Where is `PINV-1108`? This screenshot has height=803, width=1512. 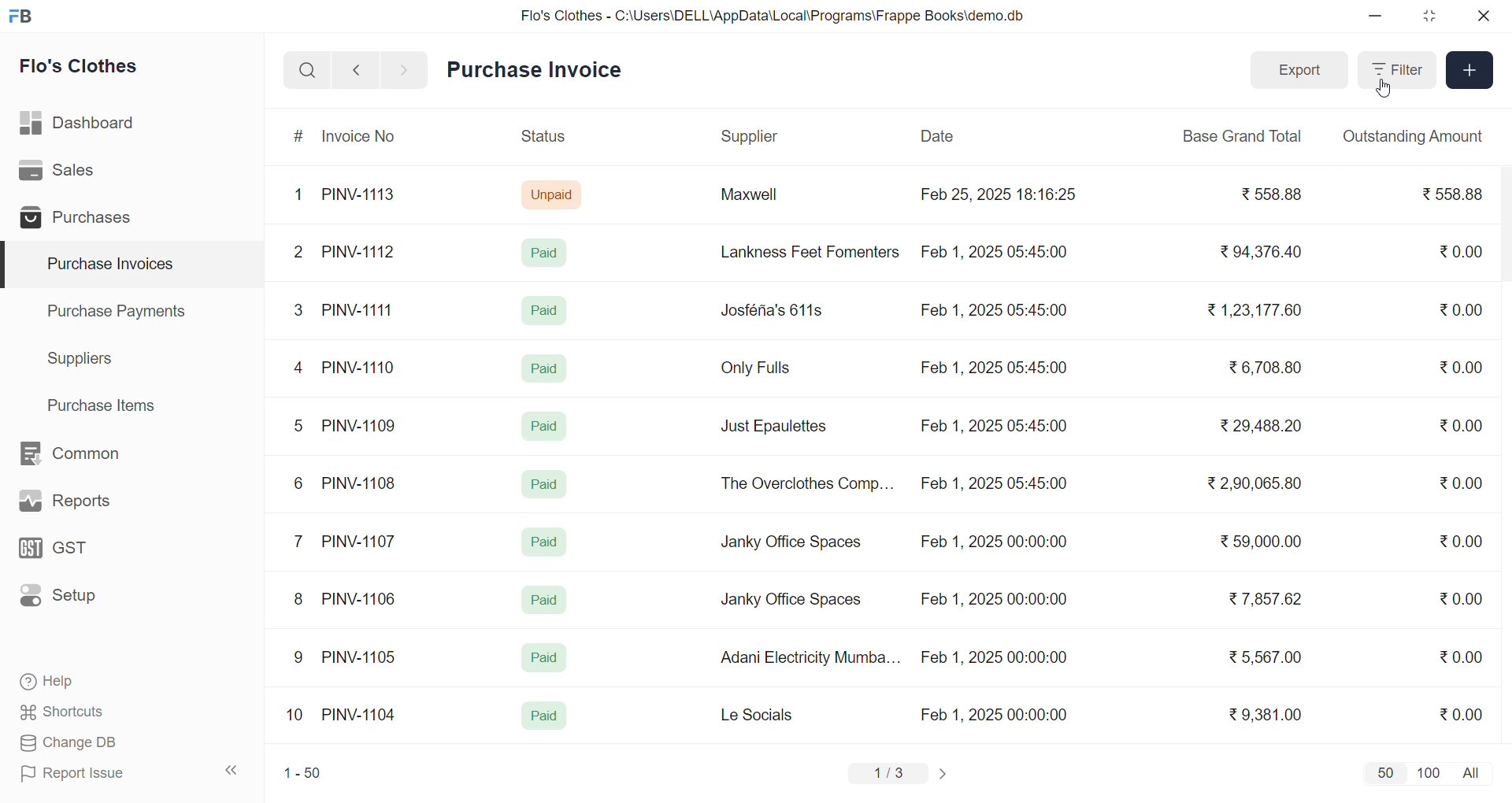
PINV-1108 is located at coordinates (360, 483).